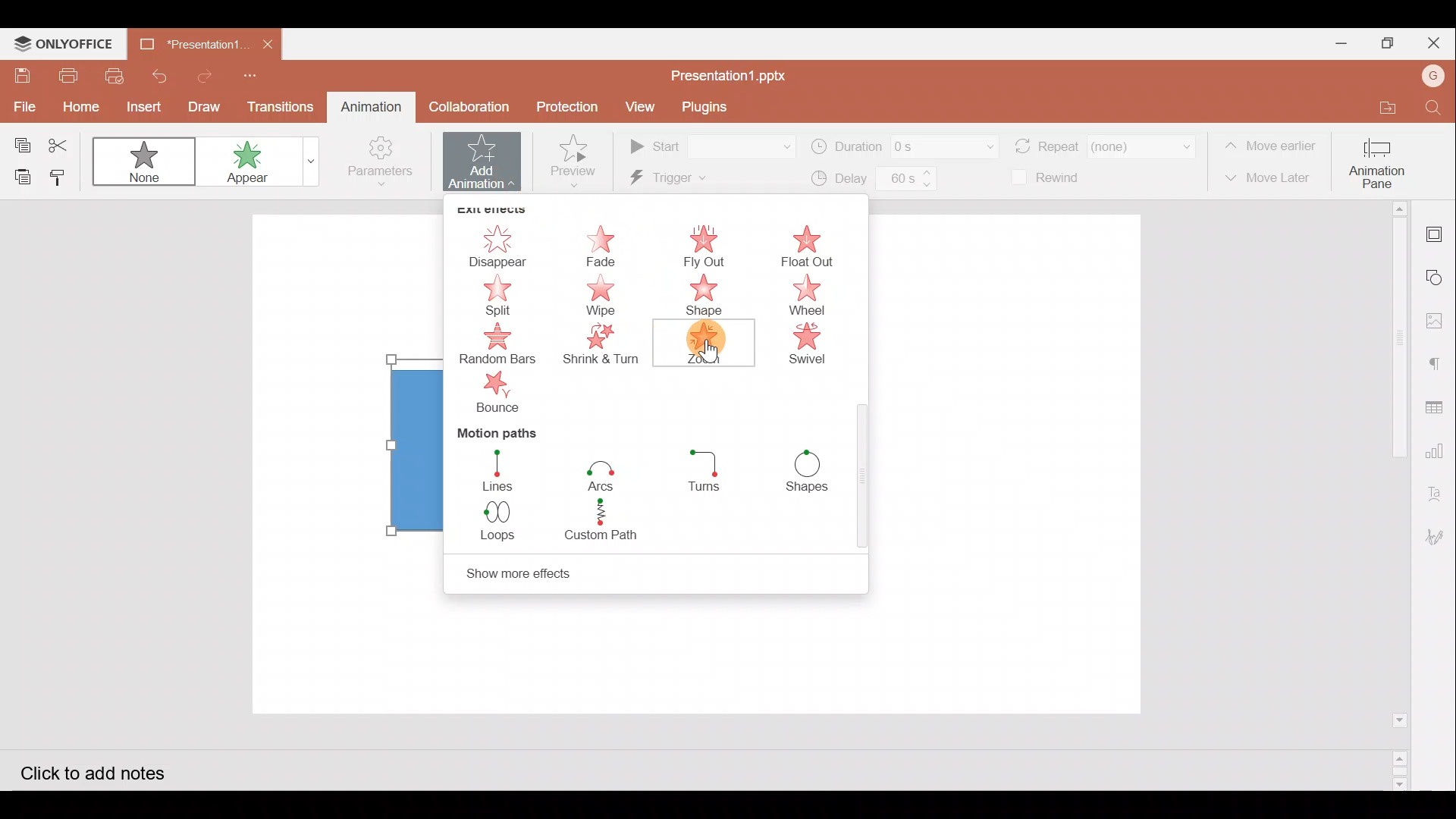 This screenshot has height=819, width=1456. I want to click on Scroll bar, so click(1393, 495).